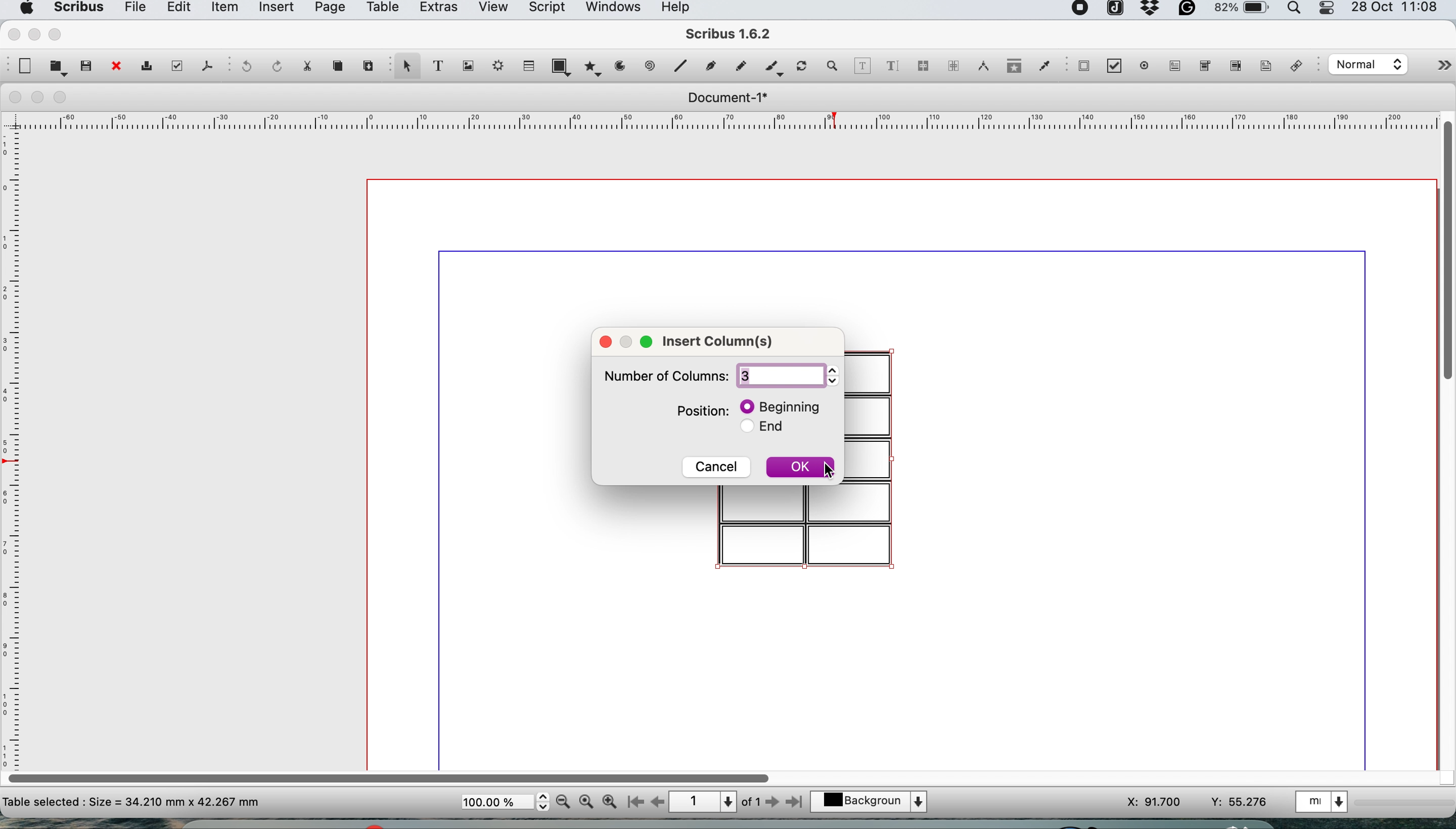 Image resolution: width=1456 pixels, height=829 pixels. I want to click on copy, so click(340, 66).